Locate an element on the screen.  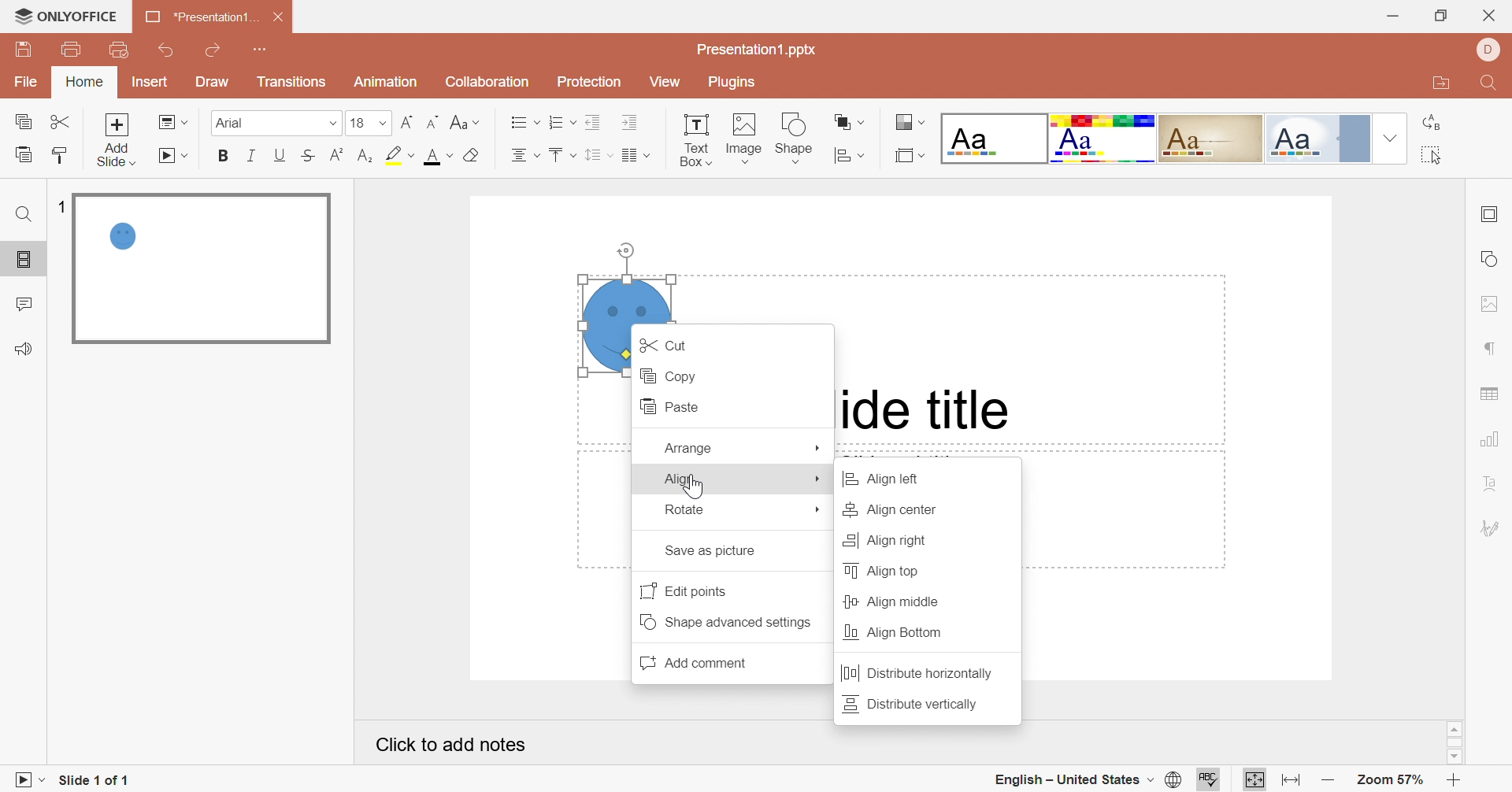
Edit points is located at coordinates (688, 590).